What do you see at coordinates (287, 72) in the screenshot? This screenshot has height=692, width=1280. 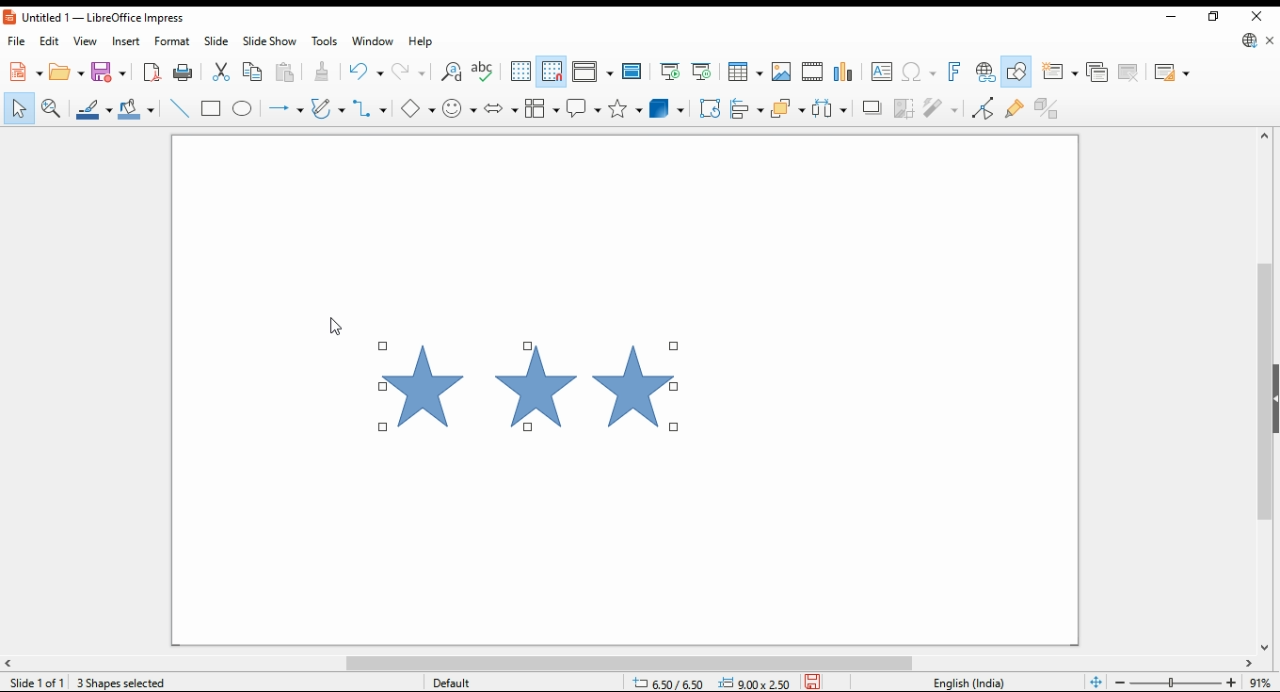 I see `paste` at bounding box center [287, 72].